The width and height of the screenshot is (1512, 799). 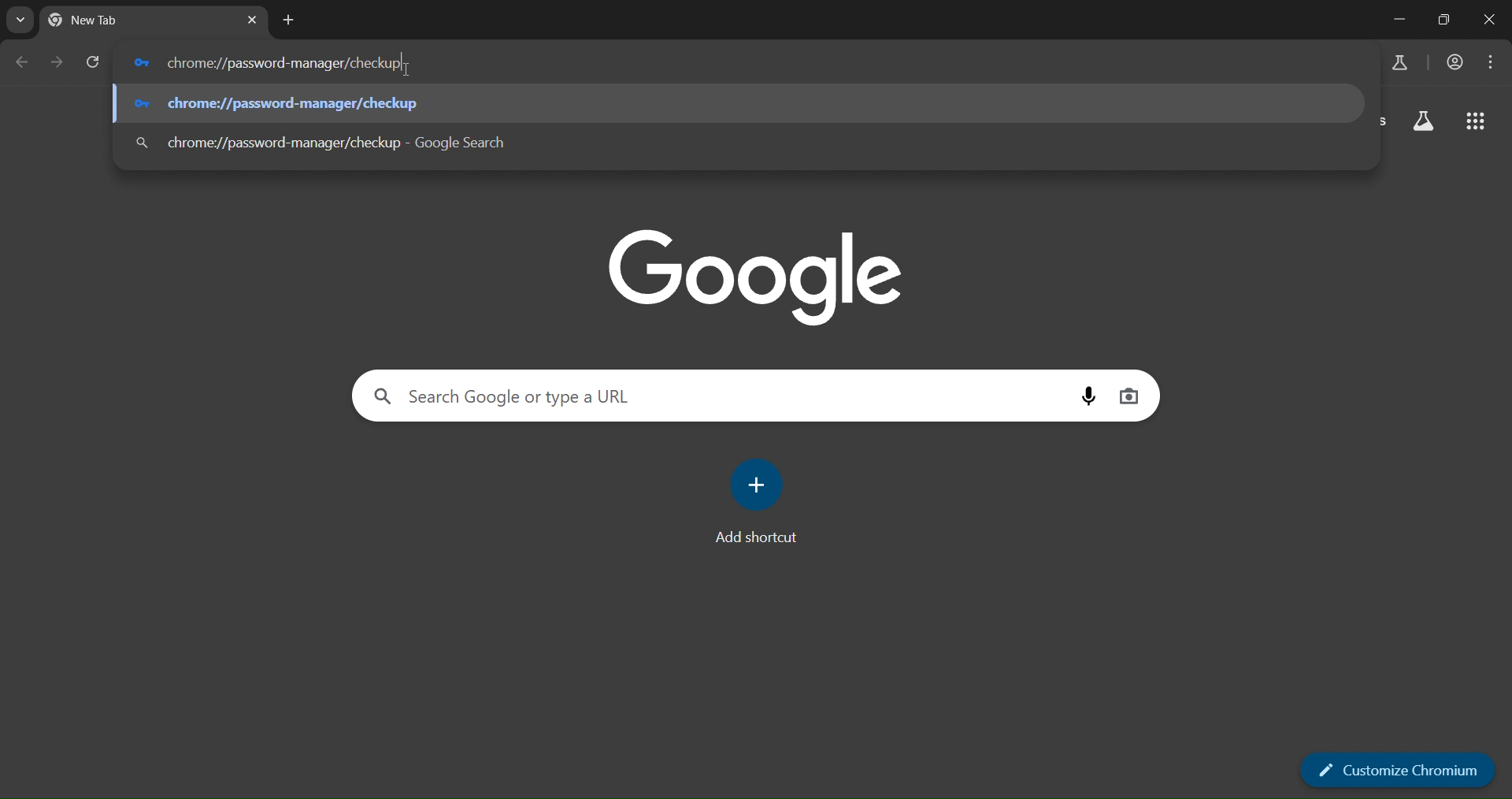 I want to click on reload page, so click(x=94, y=64).